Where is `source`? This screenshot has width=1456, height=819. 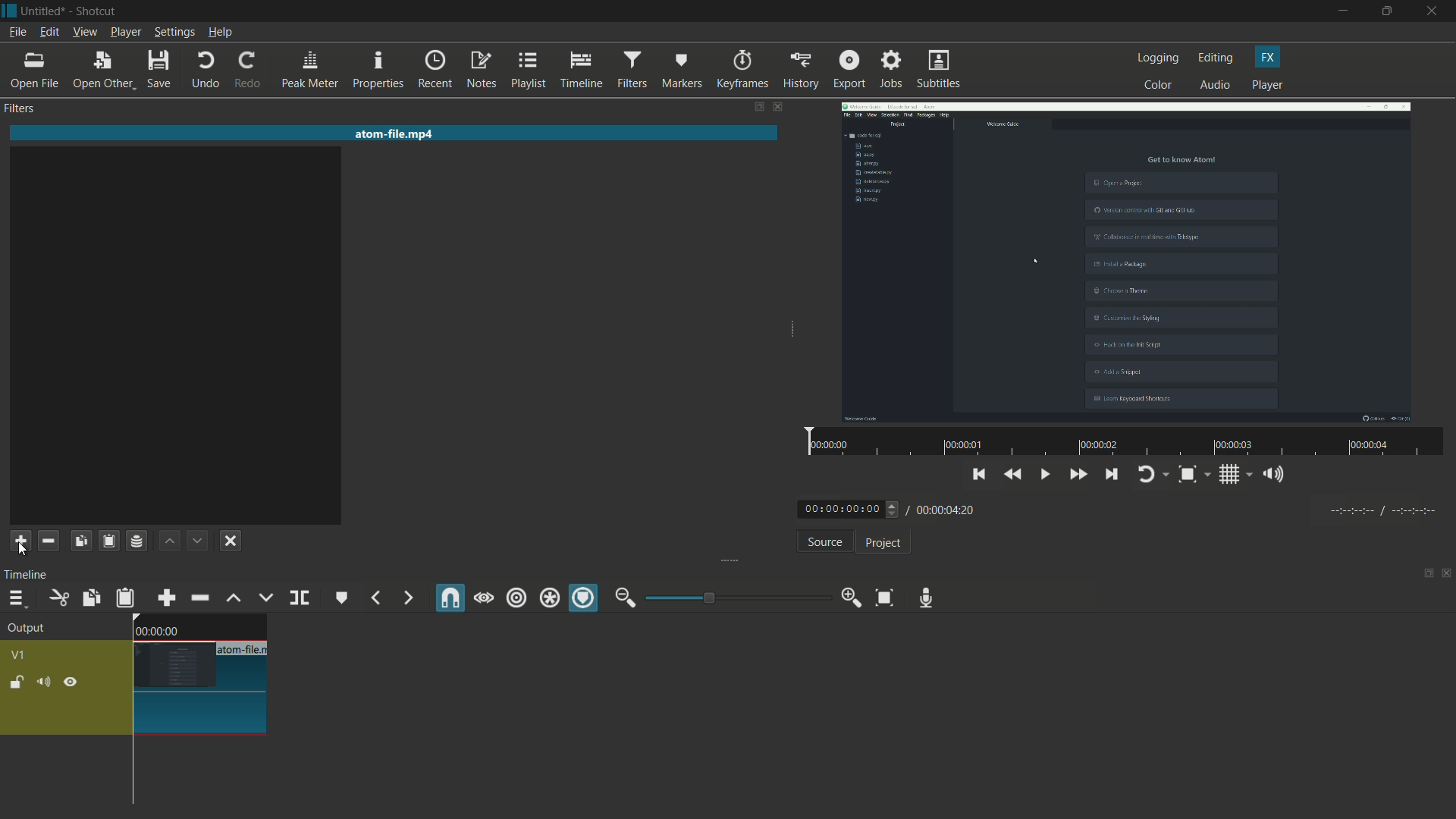
source is located at coordinates (824, 544).